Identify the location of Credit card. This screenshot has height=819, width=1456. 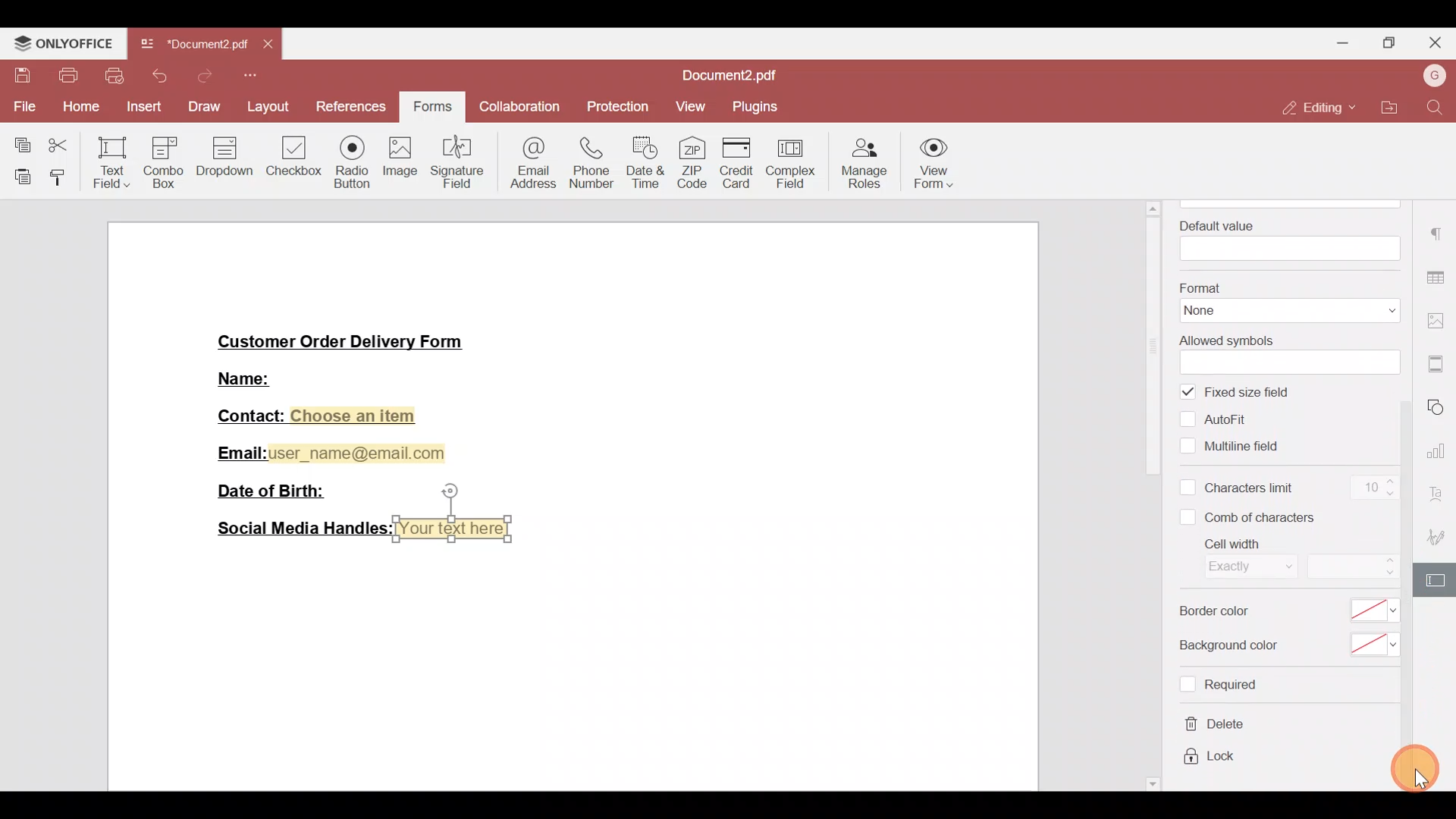
(734, 162).